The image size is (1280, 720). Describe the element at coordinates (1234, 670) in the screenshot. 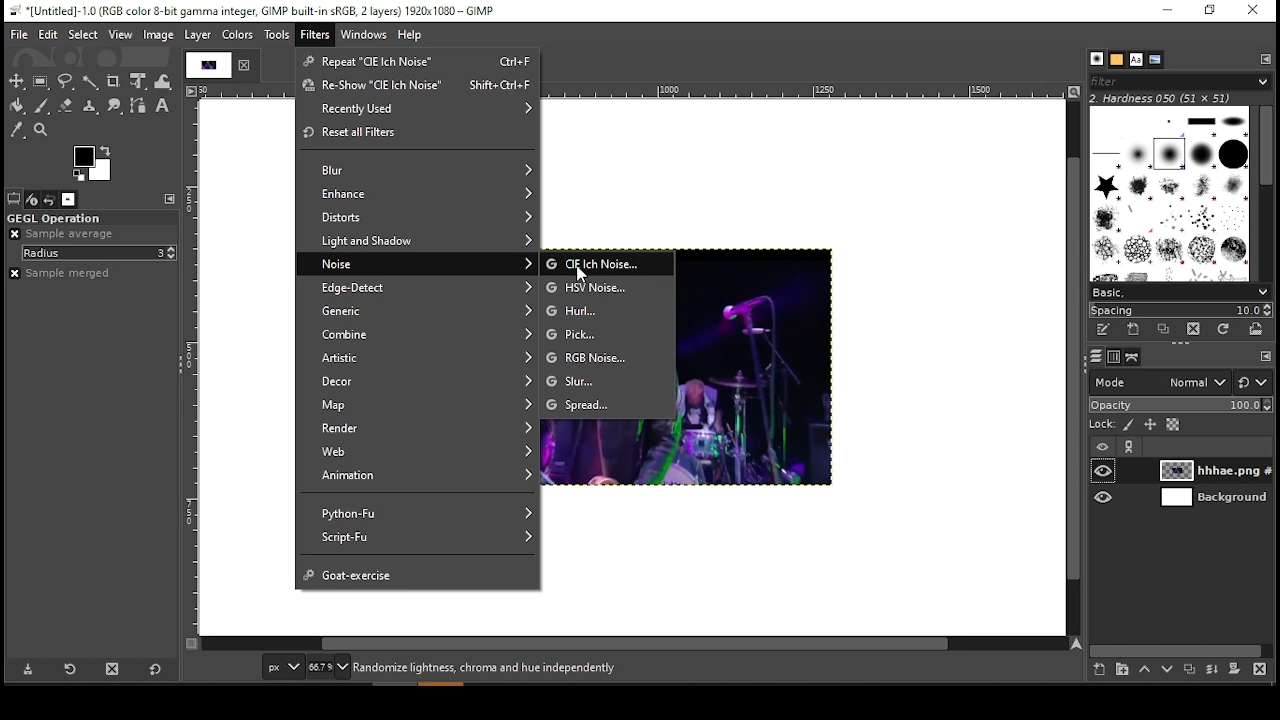

I see `add a mask` at that location.